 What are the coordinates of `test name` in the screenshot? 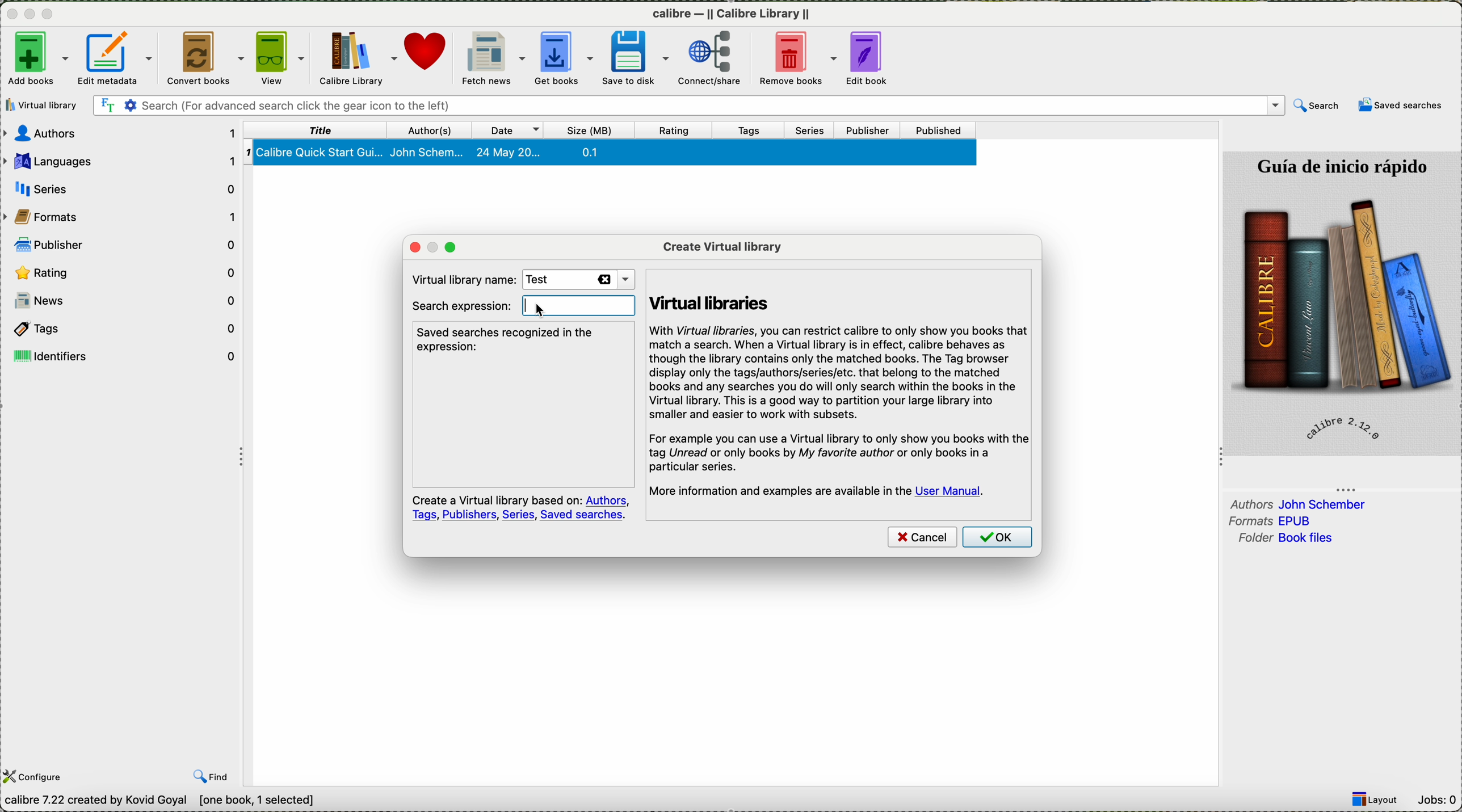 It's located at (578, 280).